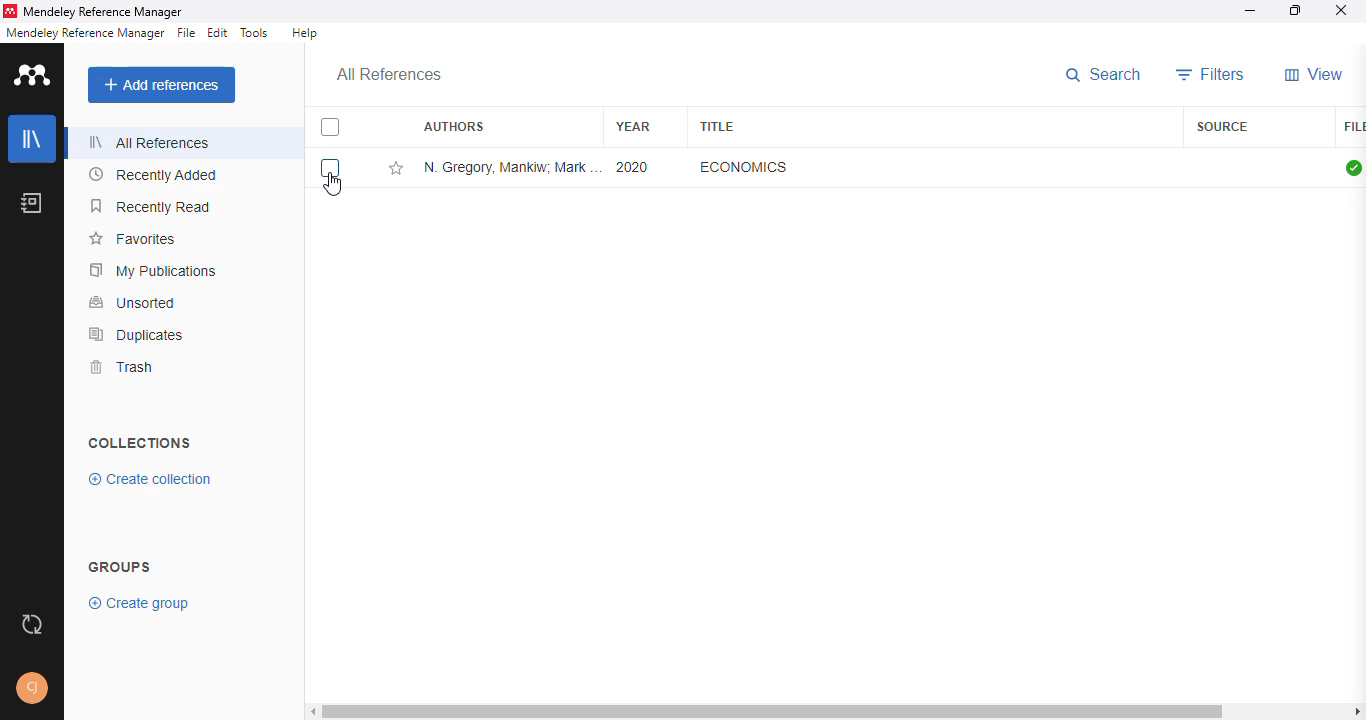  Describe the element at coordinates (633, 127) in the screenshot. I see `year` at that location.